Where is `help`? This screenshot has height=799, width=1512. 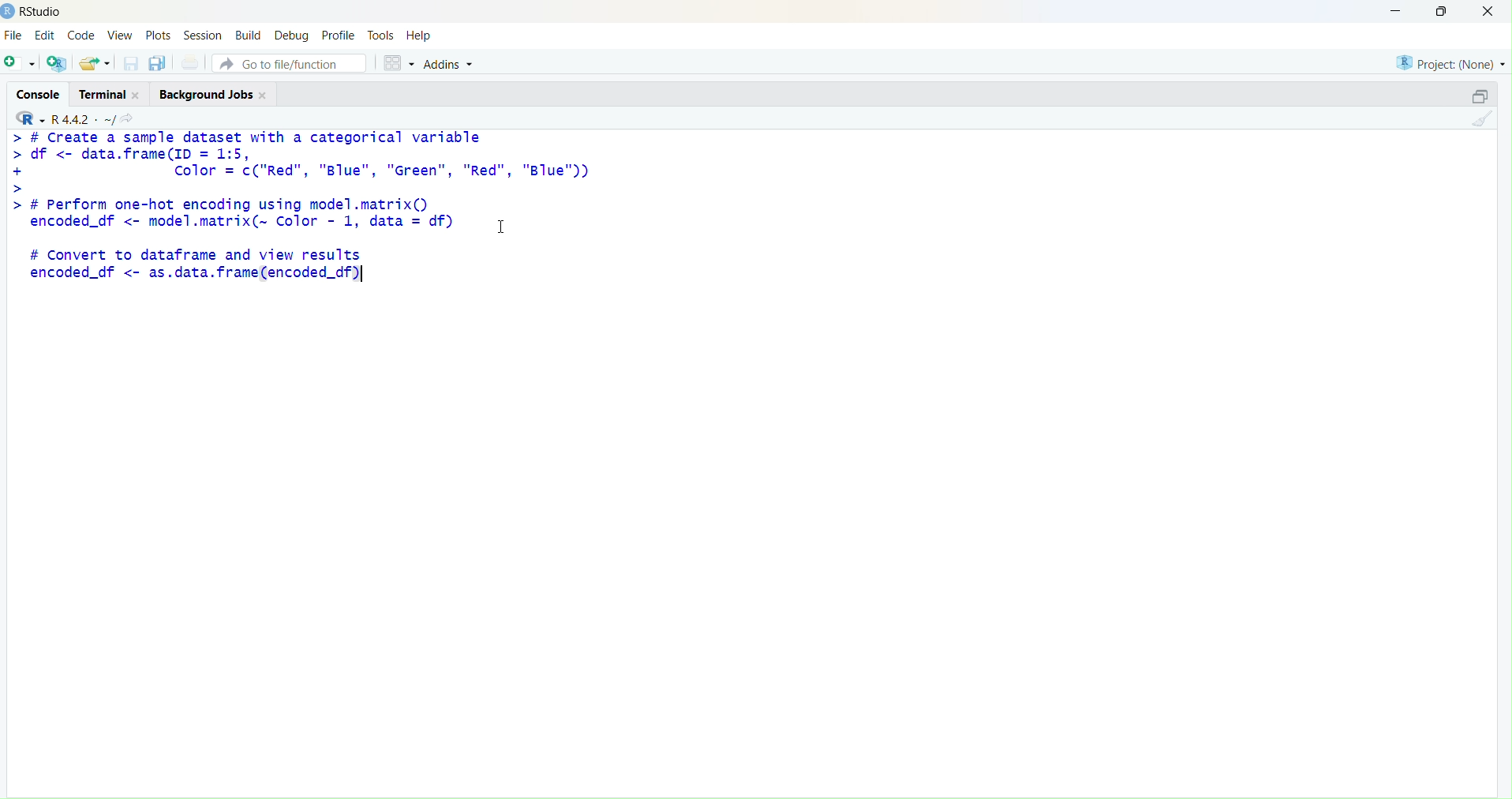 help is located at coordinates (419, 36).